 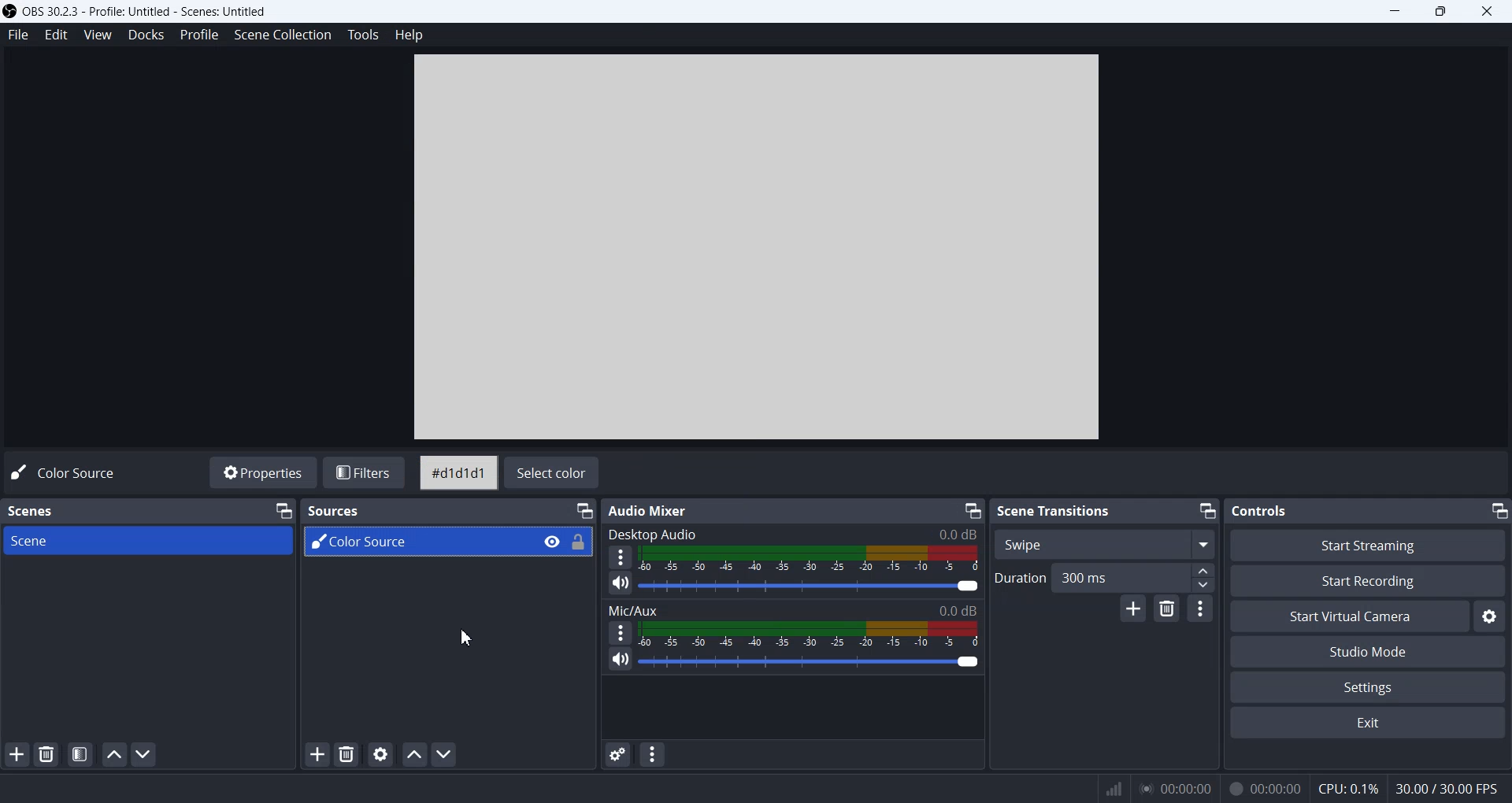 What do you see at coordinates (365, 34) in the screenshot?
I see `Tools` at bounding box center [365, 34].